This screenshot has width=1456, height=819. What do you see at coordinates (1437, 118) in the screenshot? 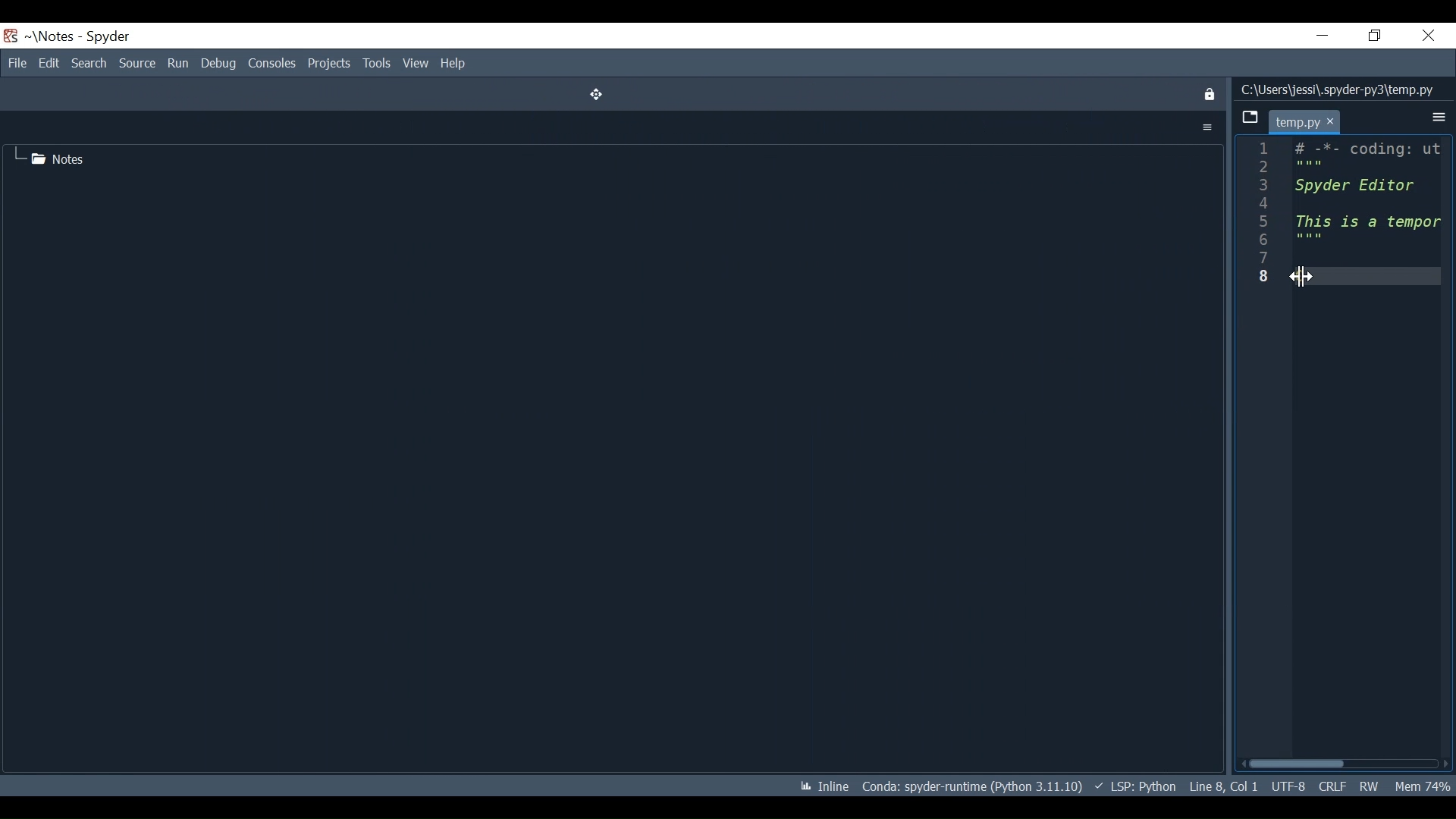
I see `More Options` at bounding box center [1437, 118].